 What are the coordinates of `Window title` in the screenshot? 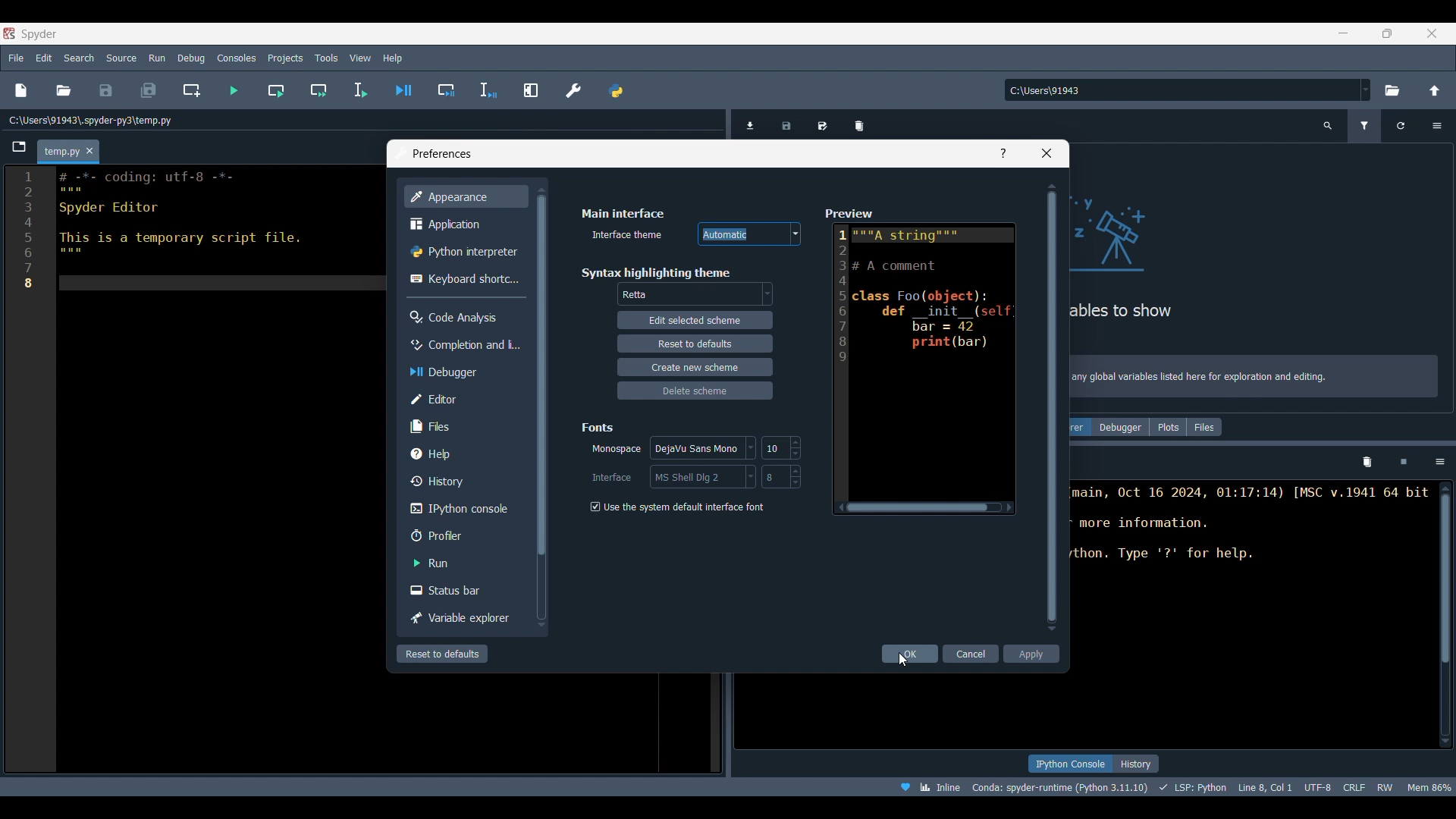 It's located at (442, 154).